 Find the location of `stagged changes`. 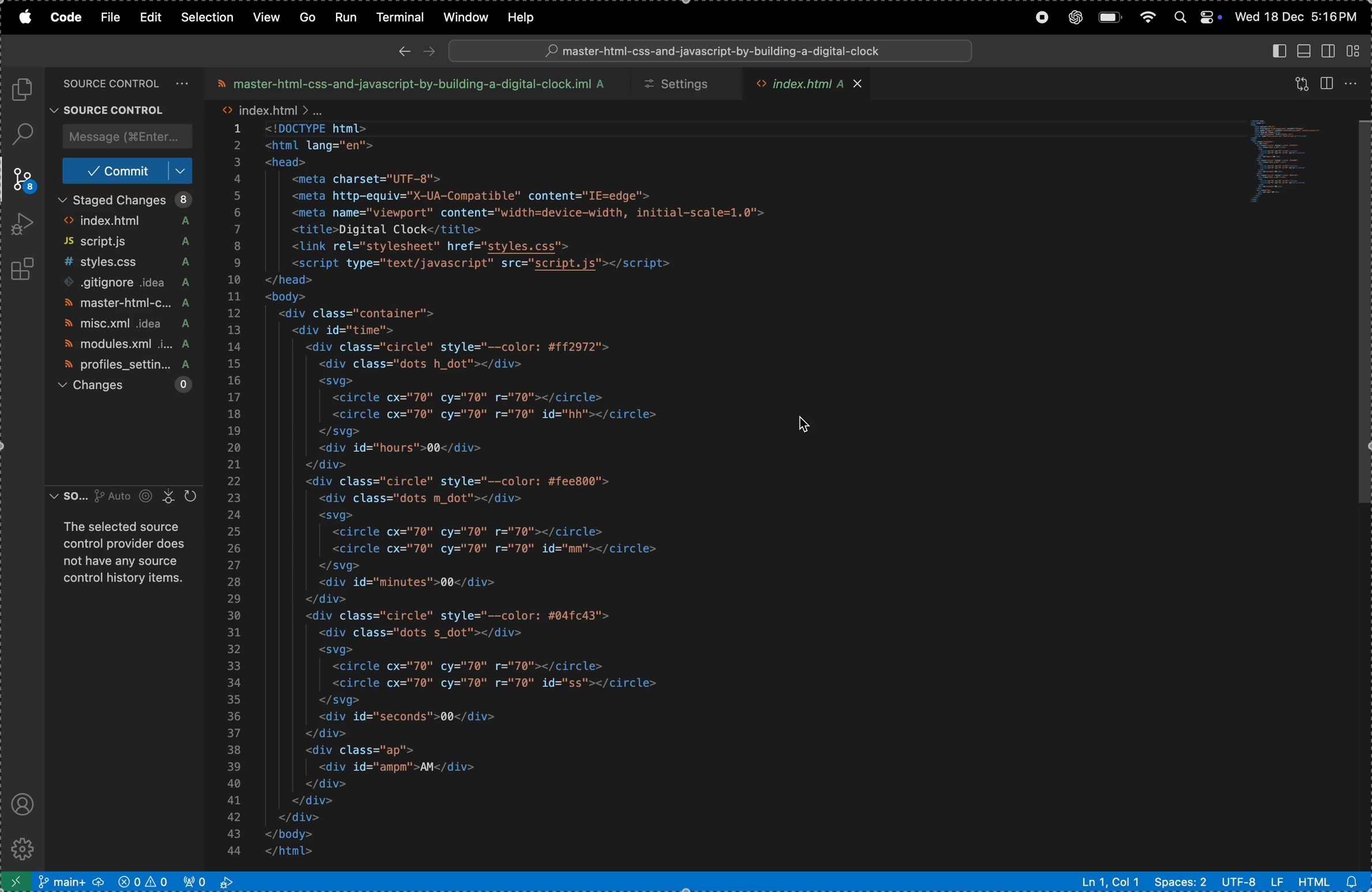

stagged changes is located at coordinates (126, 200).